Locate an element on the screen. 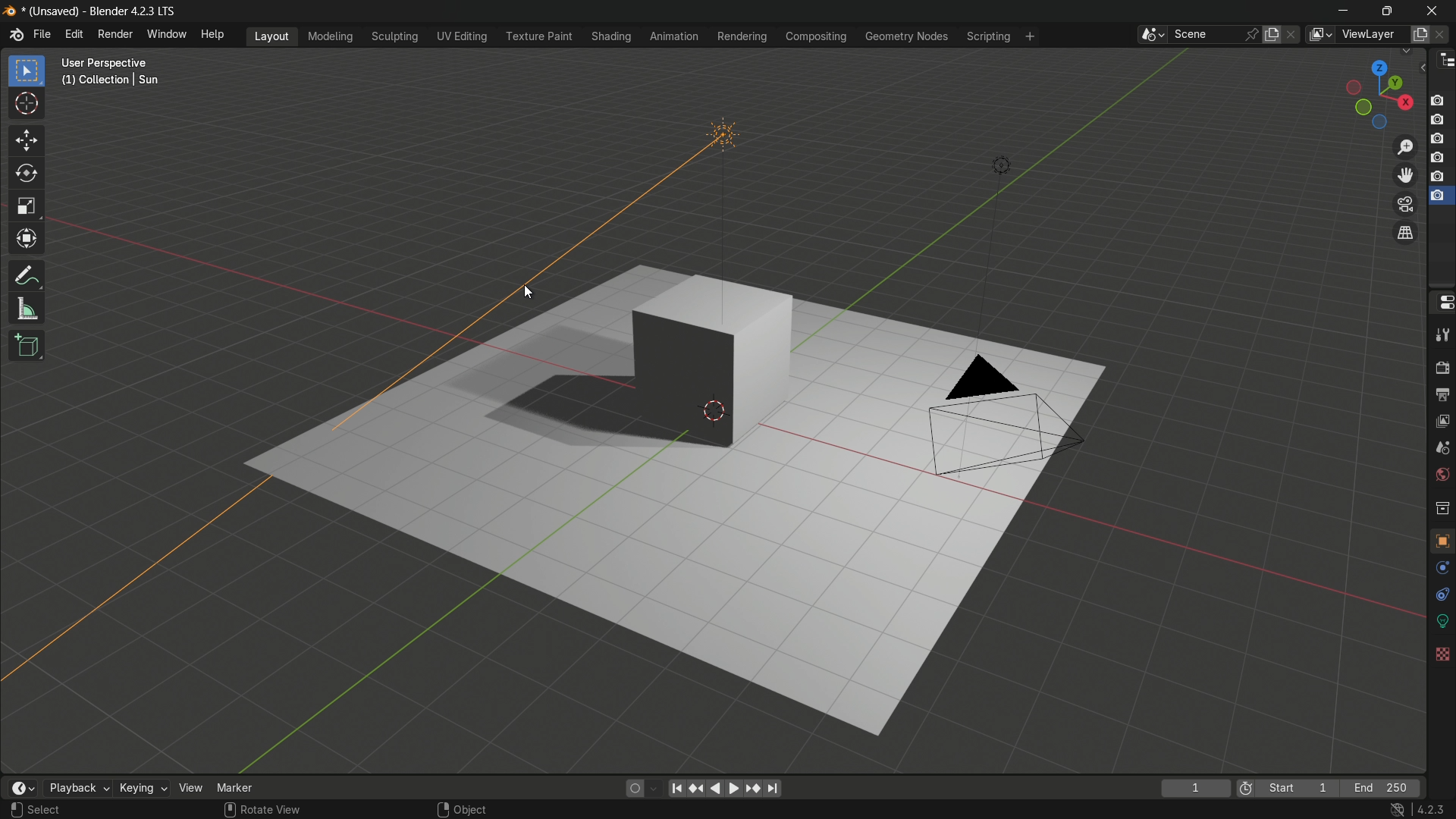  1 is located at coordinates (1197, 787).